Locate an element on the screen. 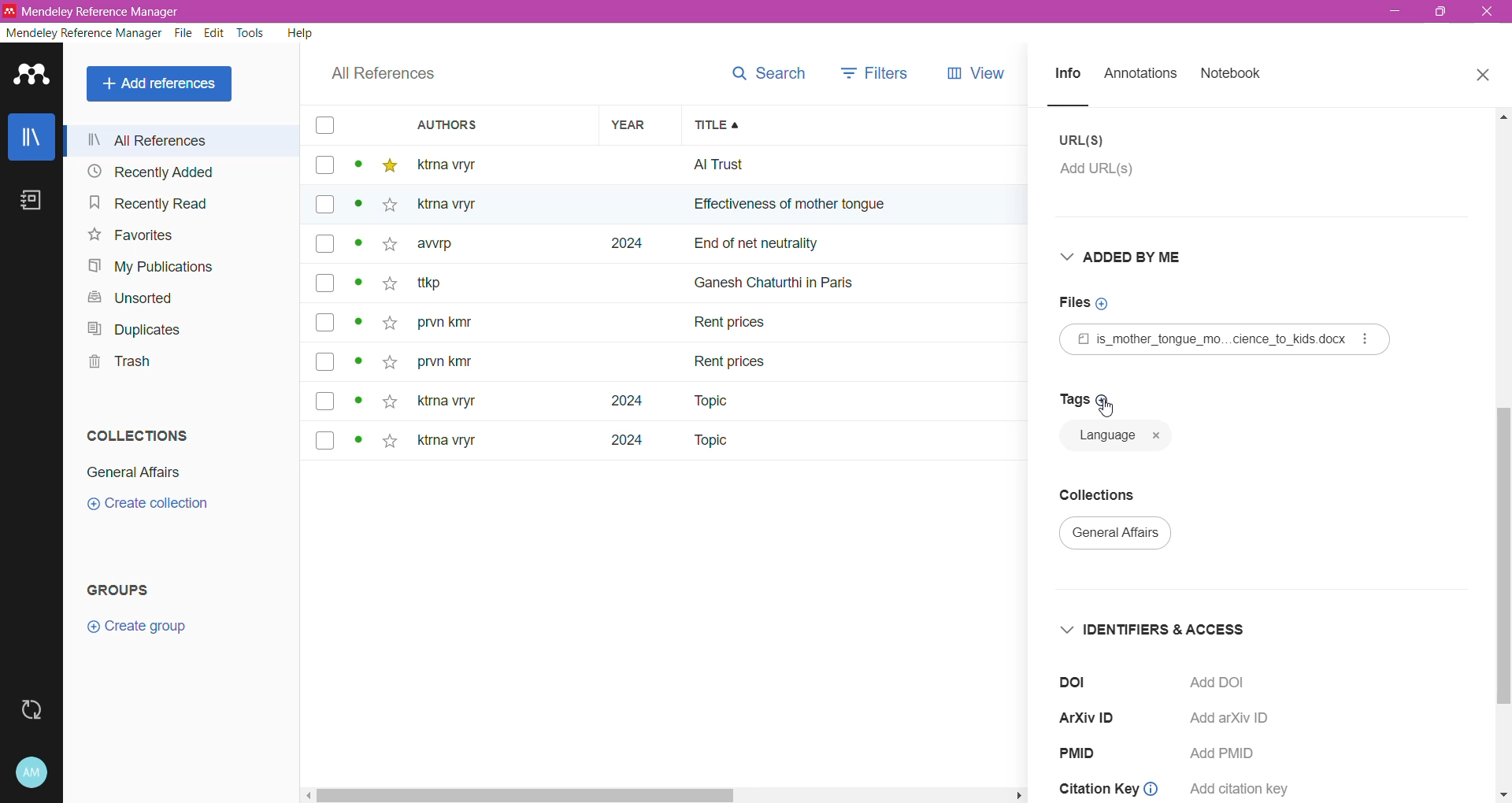 The height and width of the screenshot is (803, 1512). Application Logo is located at coordinates (32, 76).